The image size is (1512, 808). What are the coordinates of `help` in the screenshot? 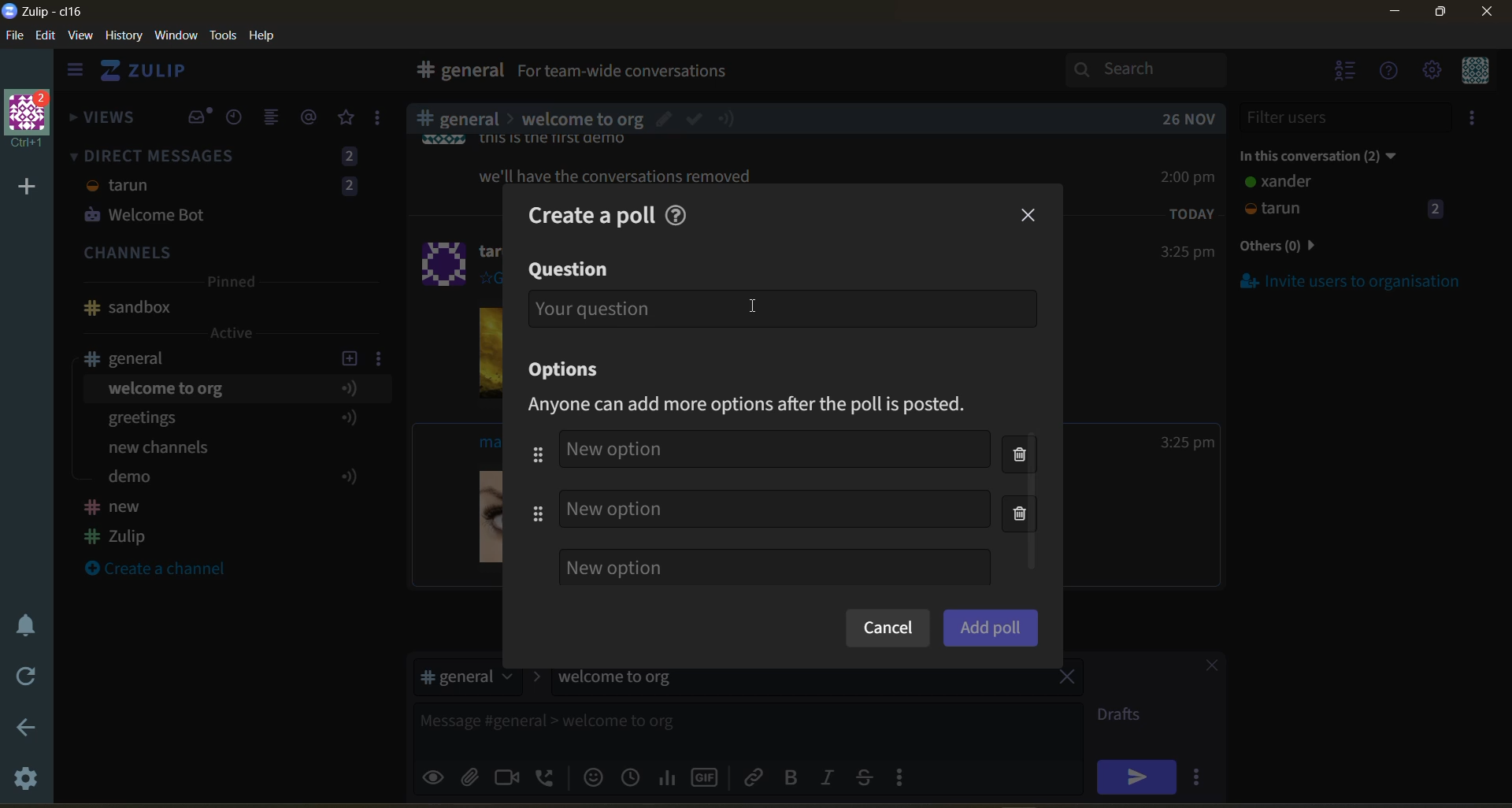 It's located at (915, 74).